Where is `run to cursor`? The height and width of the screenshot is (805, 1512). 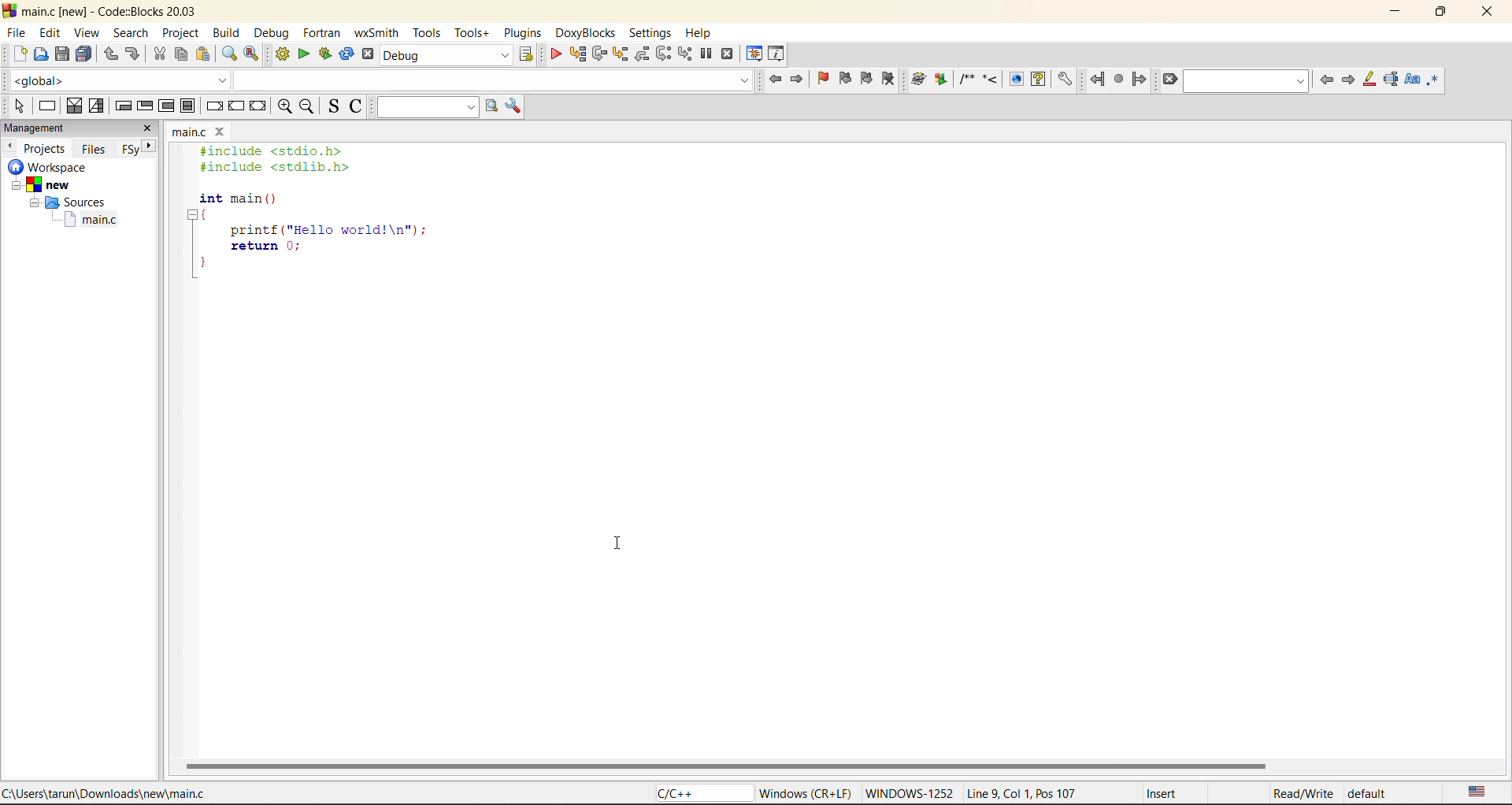
run to cursor is located at coordinates (577, 53).